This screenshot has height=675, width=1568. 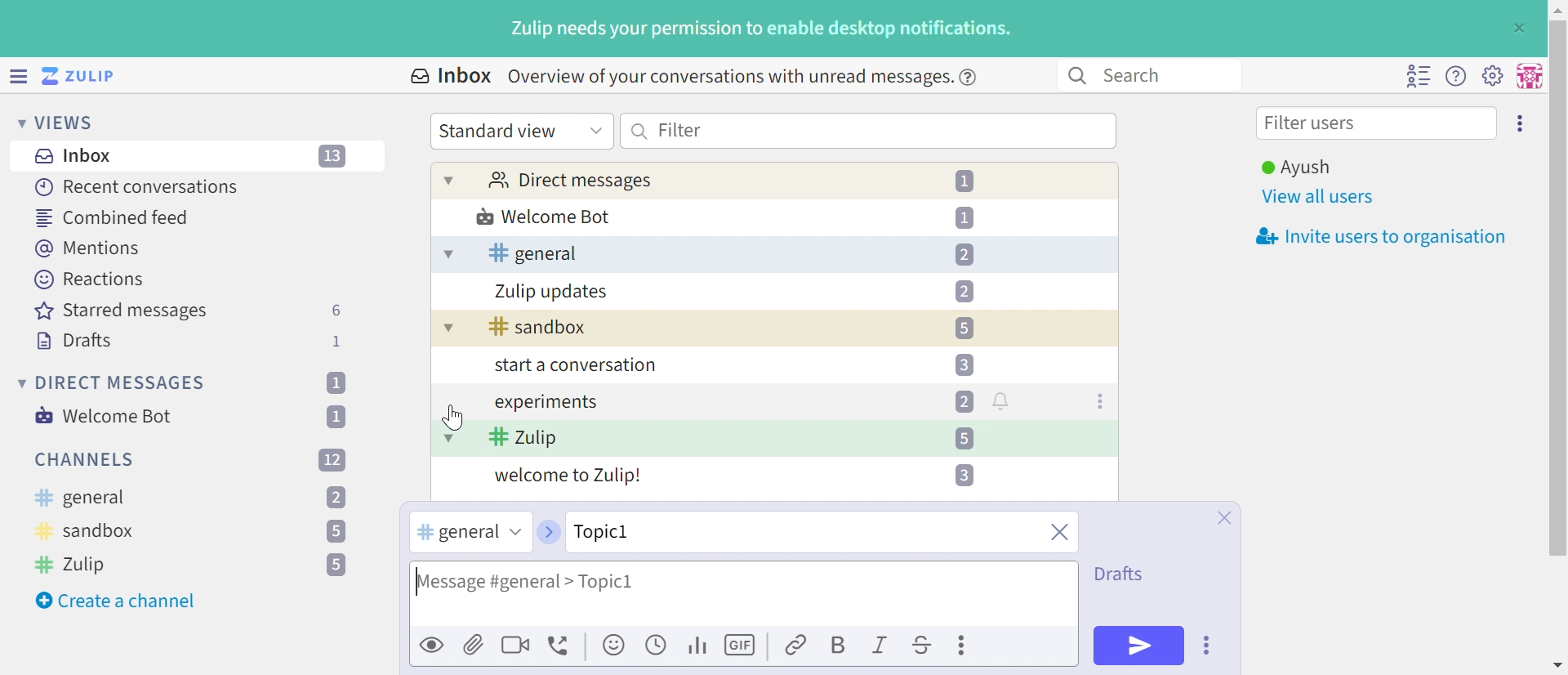 I want to click on Invite users to organisation, so click(x=1521, y=122).